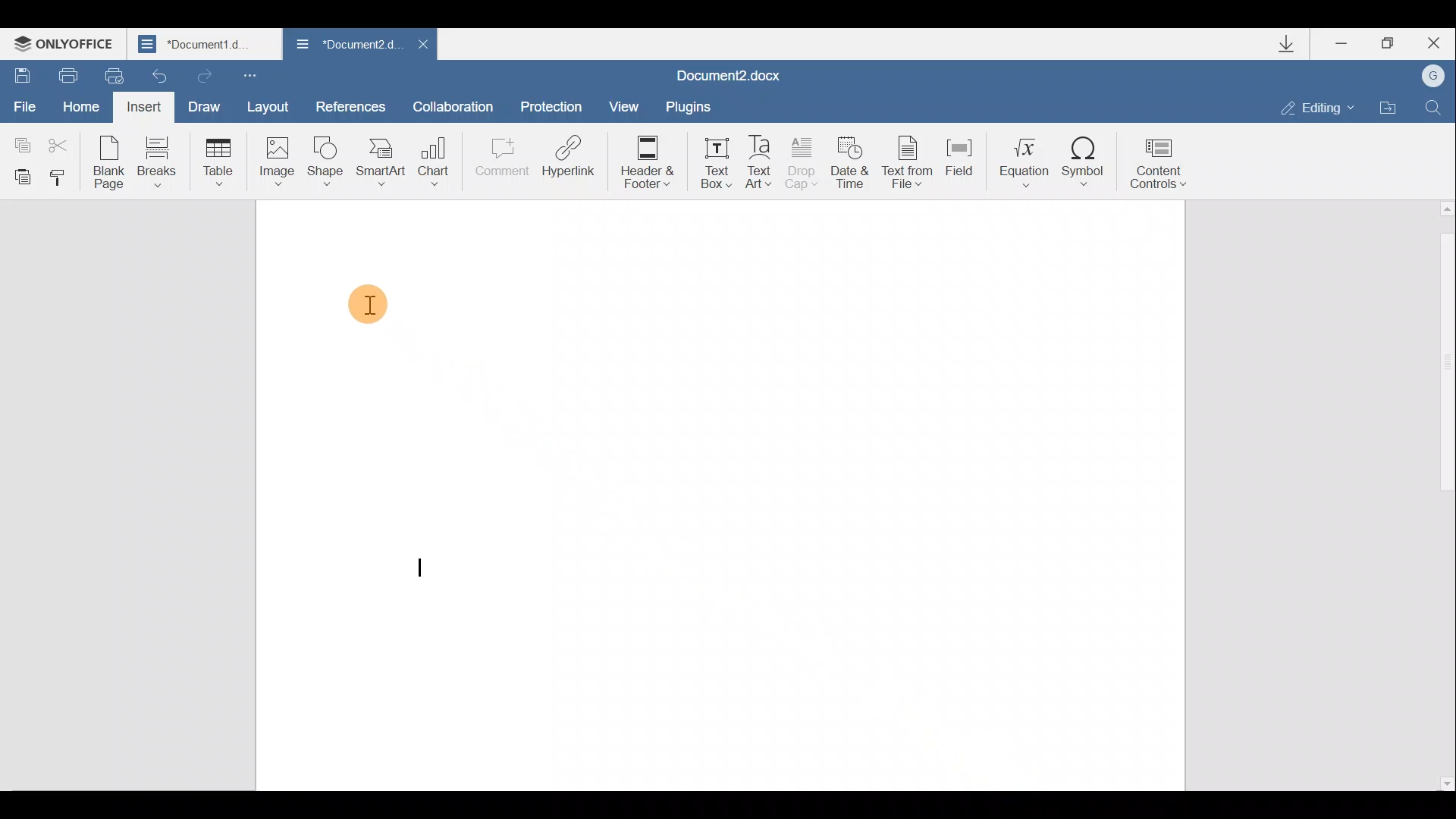 The image size is (1456, 819). What do you see at coordinates (20, 137) in the screenshot?
I see `Copy` at bounding box center [20, 137].